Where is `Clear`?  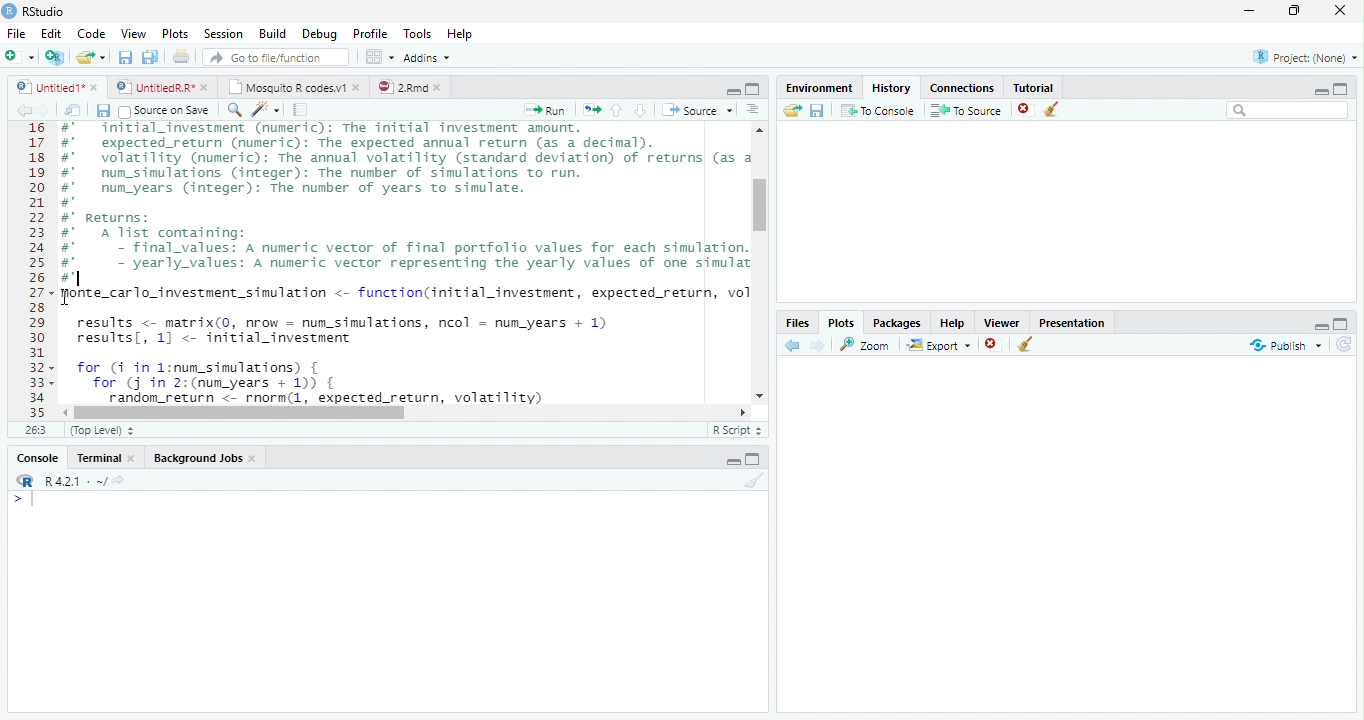 Clear is located at coordinates (1056, 110).